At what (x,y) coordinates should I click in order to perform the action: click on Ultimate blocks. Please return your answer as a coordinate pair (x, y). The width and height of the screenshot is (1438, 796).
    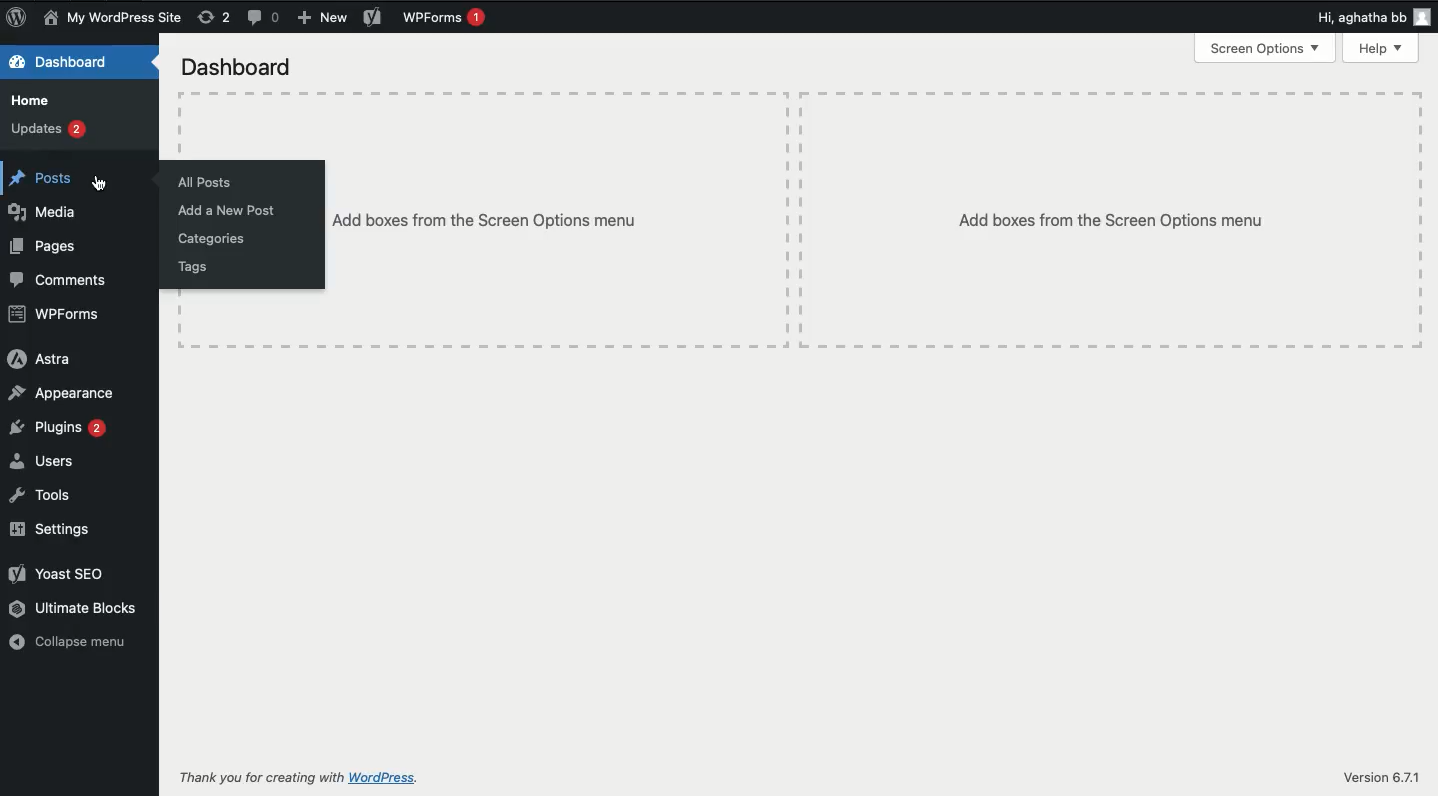
    Looking at the image, I should click on (73, 609).